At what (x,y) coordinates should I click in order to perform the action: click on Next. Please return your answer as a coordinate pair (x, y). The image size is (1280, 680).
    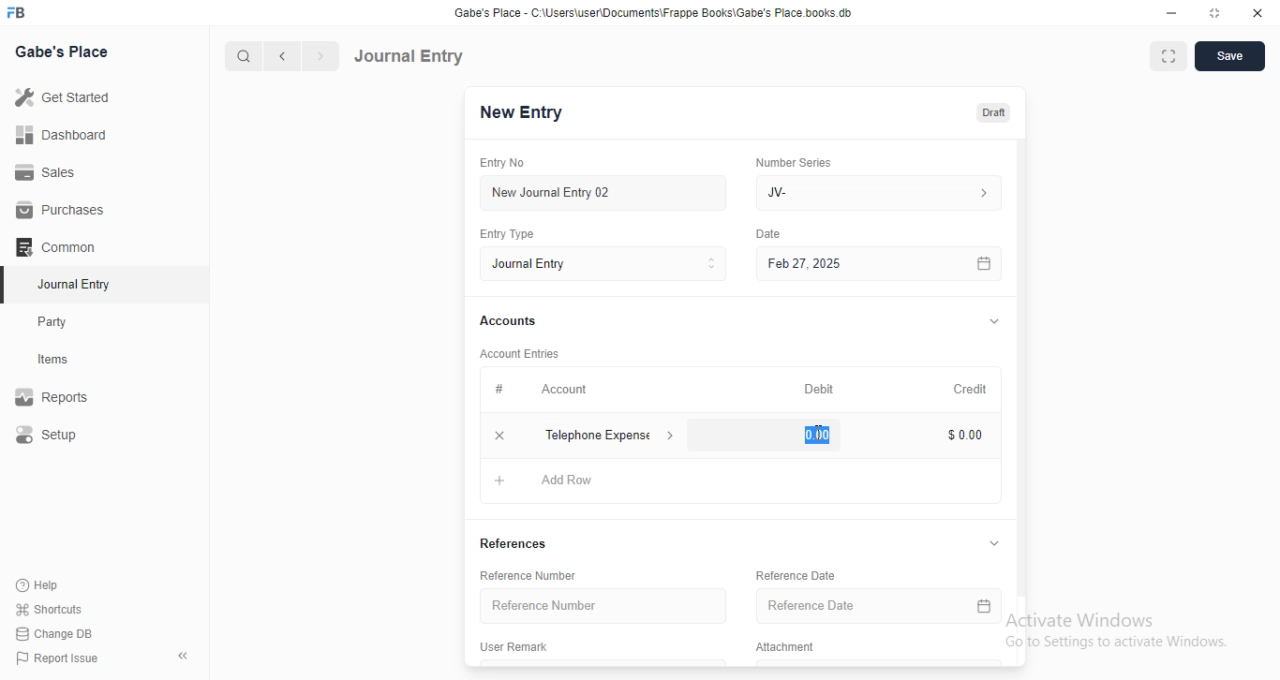
    Looking at the image, I should click on (319, 56).